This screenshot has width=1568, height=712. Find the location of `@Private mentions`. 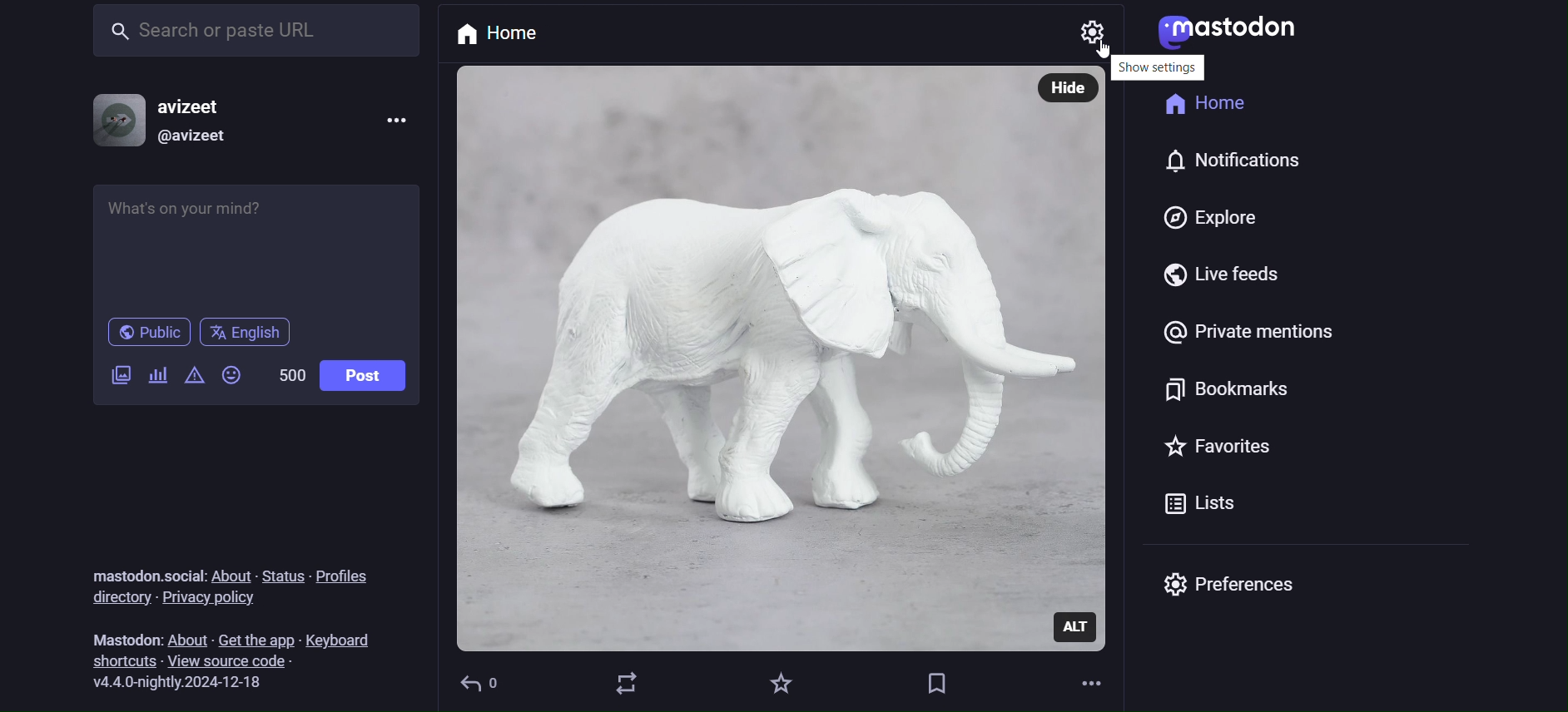

@Private mentions is located at coordinates (1245, 339).